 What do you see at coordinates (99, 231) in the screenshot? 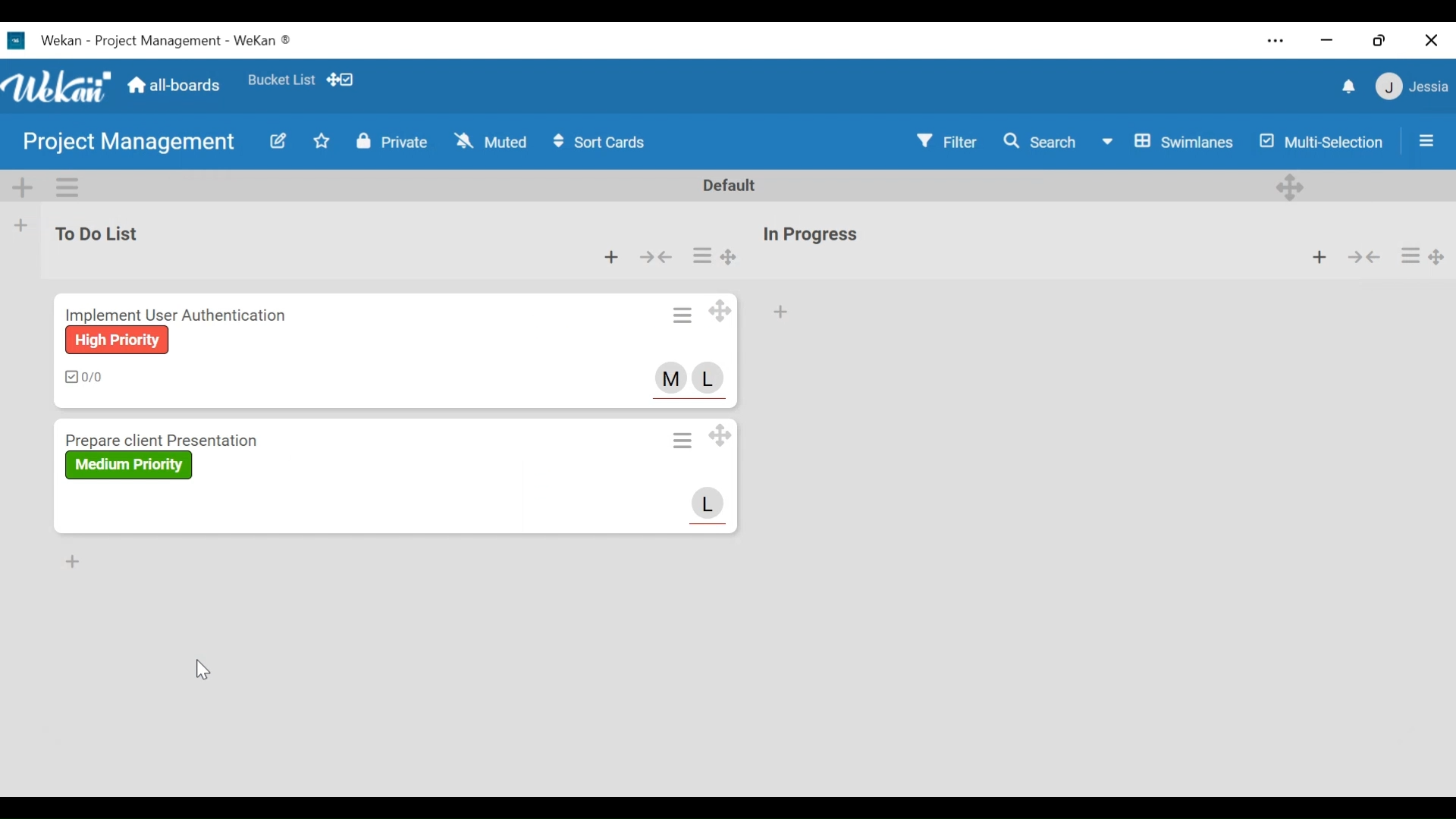
I see `list Title` at bounding box center [99, 231].